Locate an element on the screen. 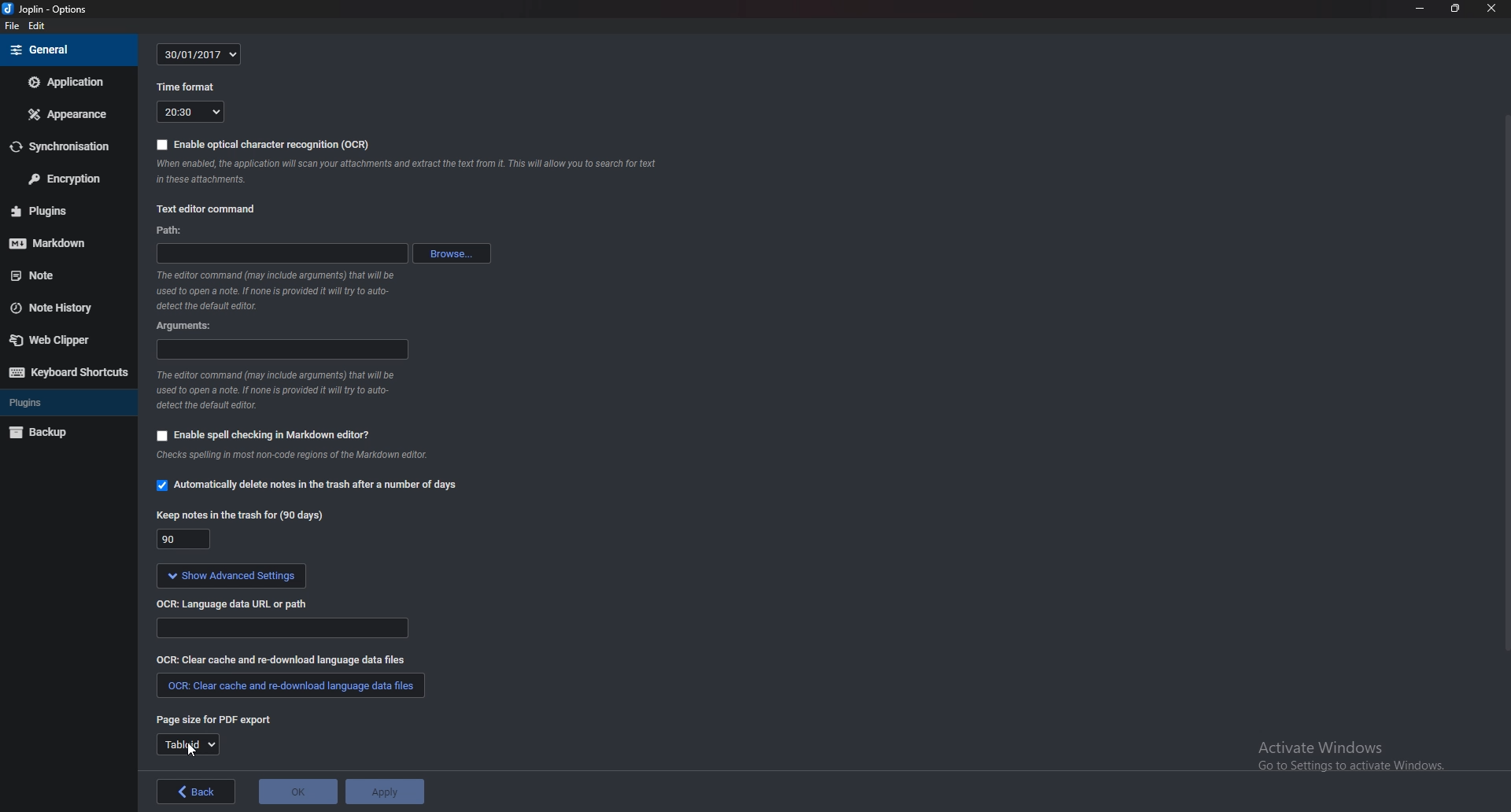 The image size is (1511, 812). enable spell checking is located at coordinates (282, 433).